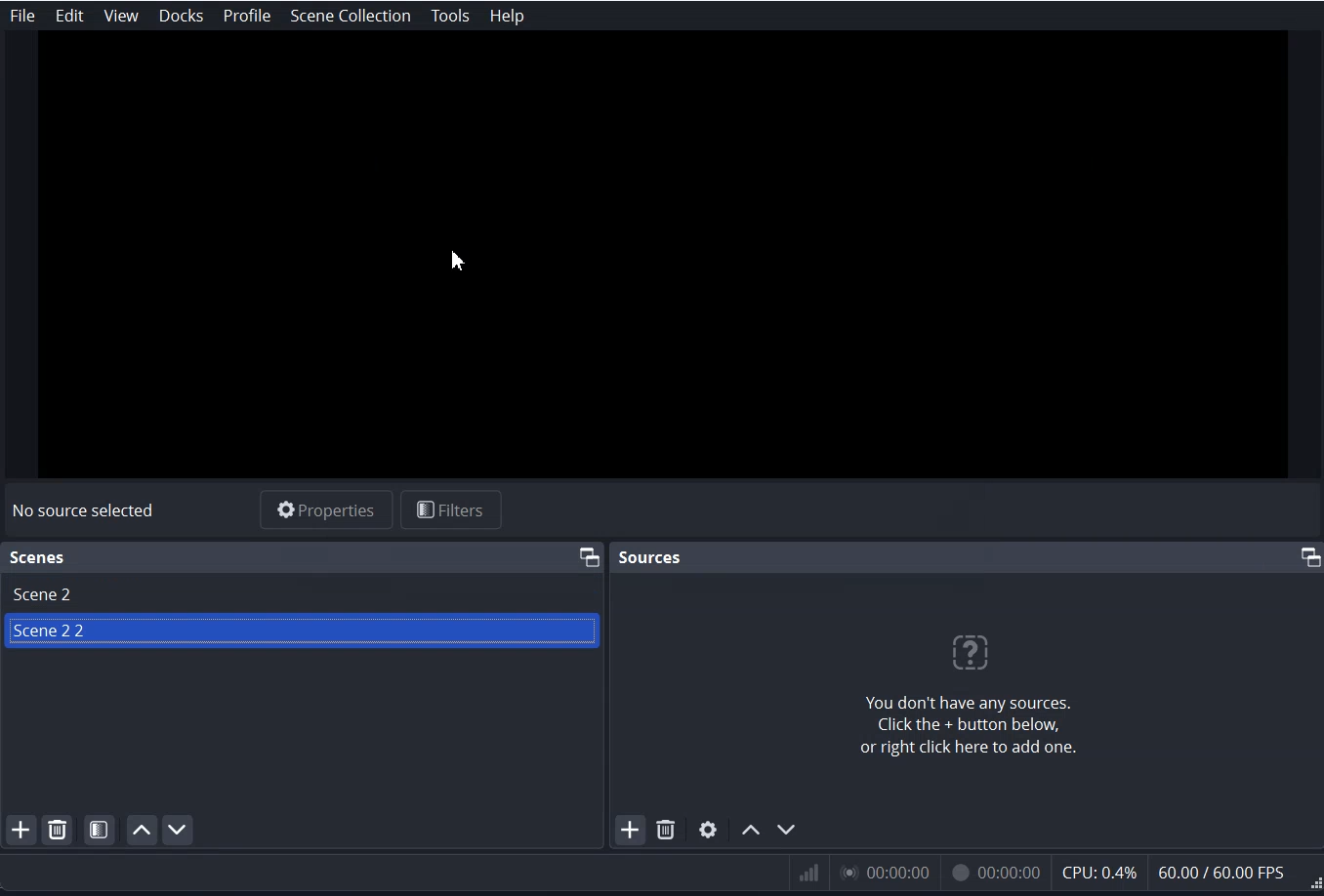  I want to click on Remove Select Source, so click(667, 830).